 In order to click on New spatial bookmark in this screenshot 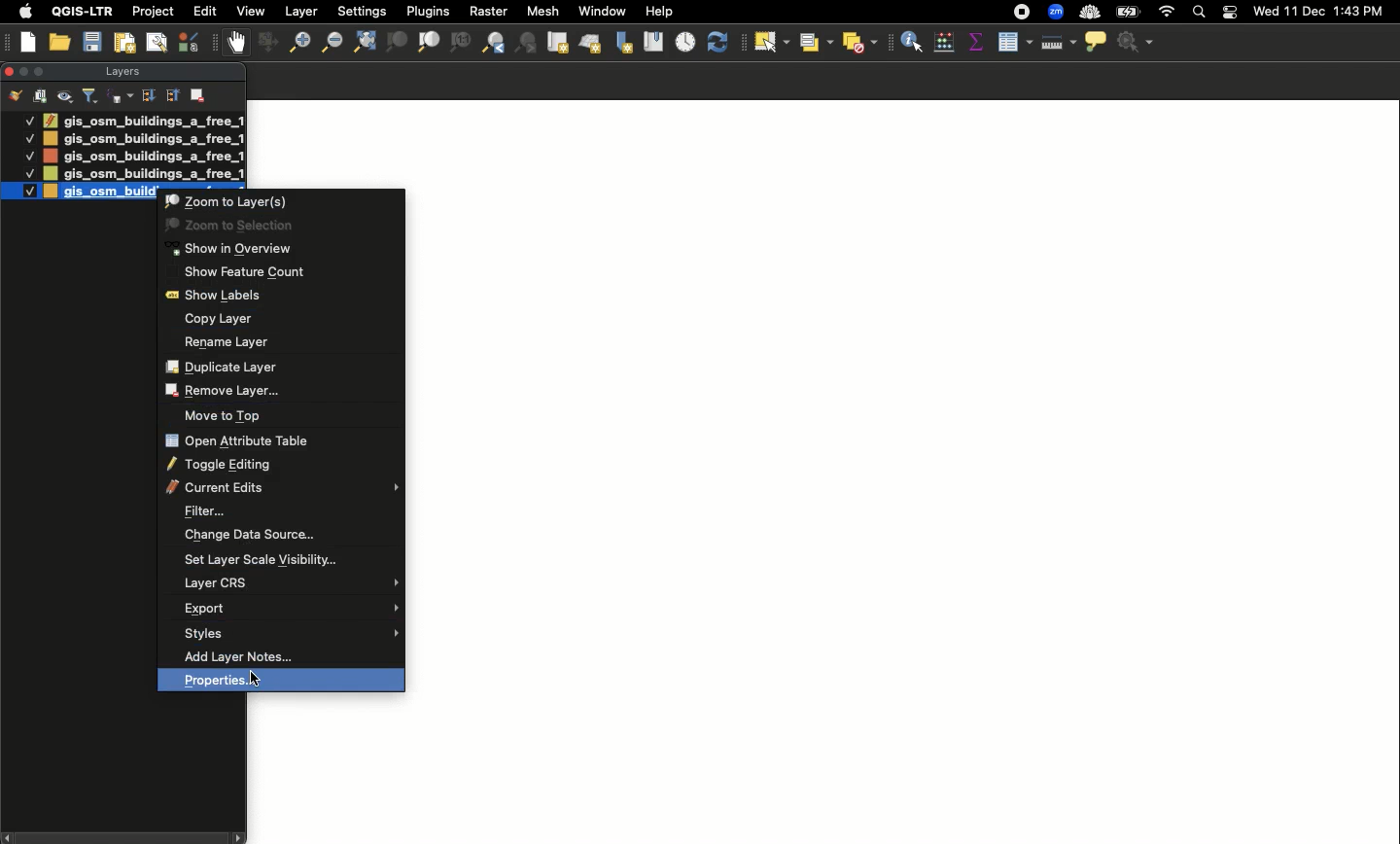, I will do `click(622, 44)`.